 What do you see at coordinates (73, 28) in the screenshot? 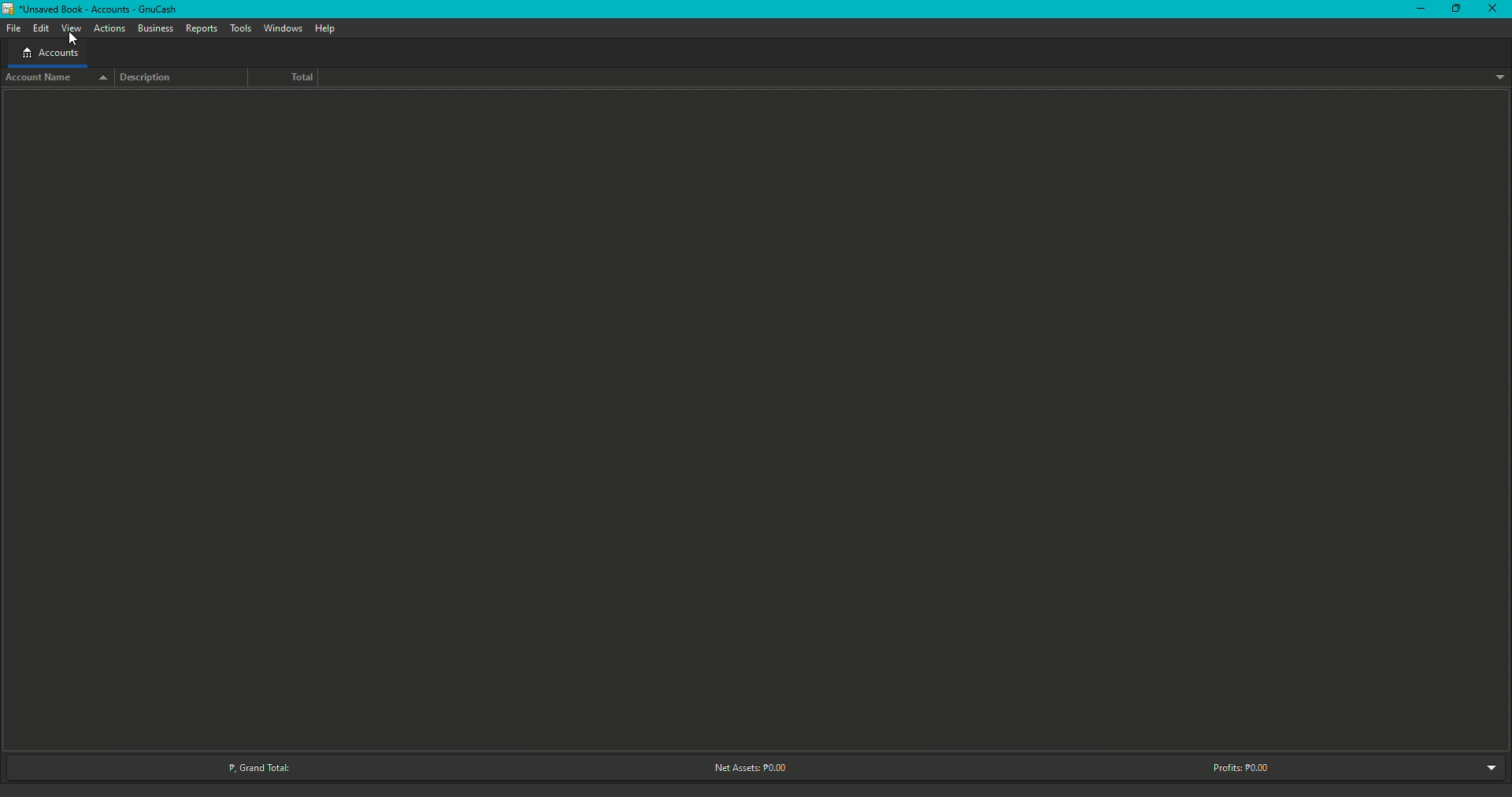
I see `View` at bounding box center [73, 28].